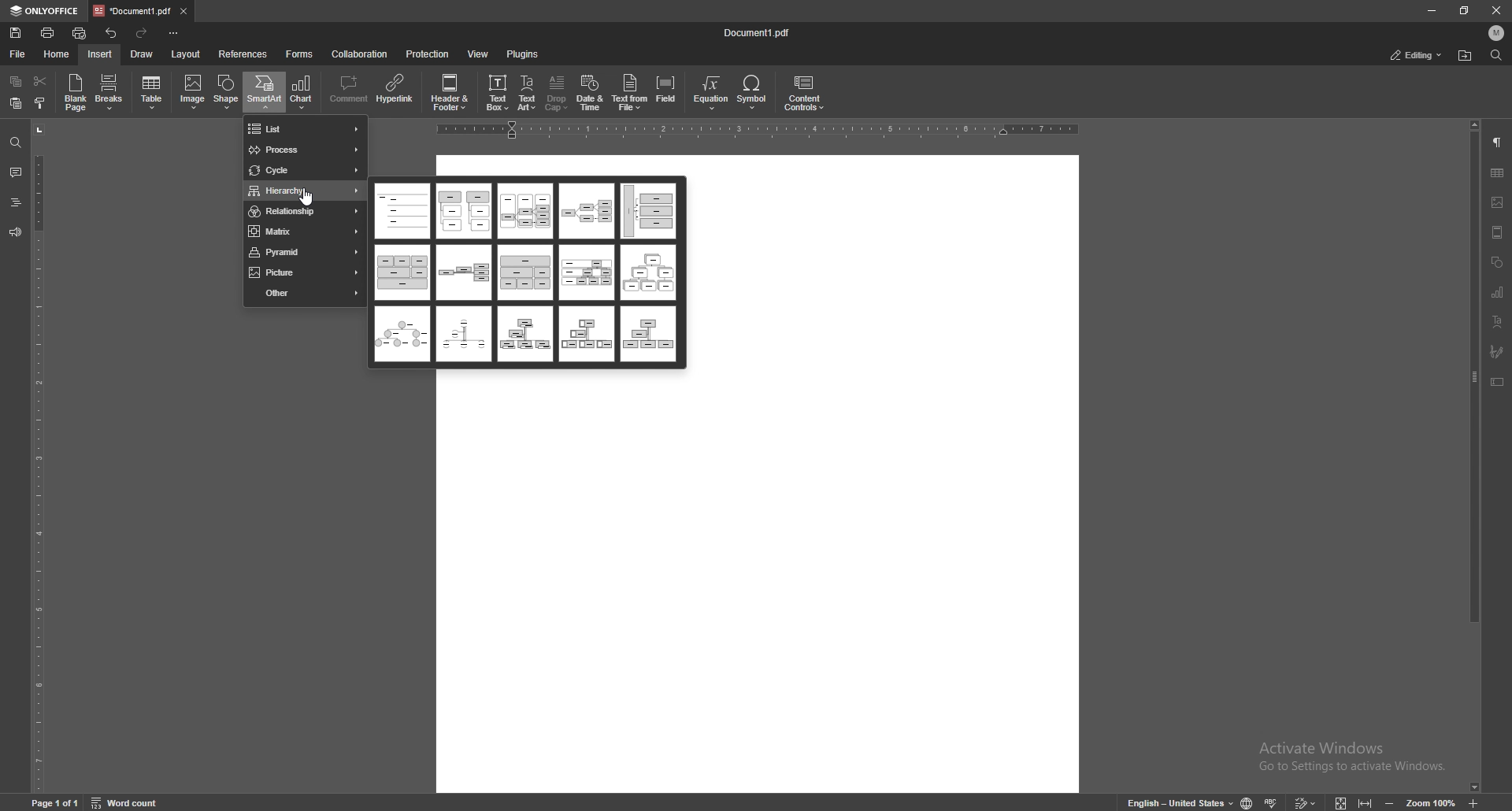  What do you see at coordinates (1417, 55) in the screenshot?
I see `editing` at bounding box center [1417, 55].